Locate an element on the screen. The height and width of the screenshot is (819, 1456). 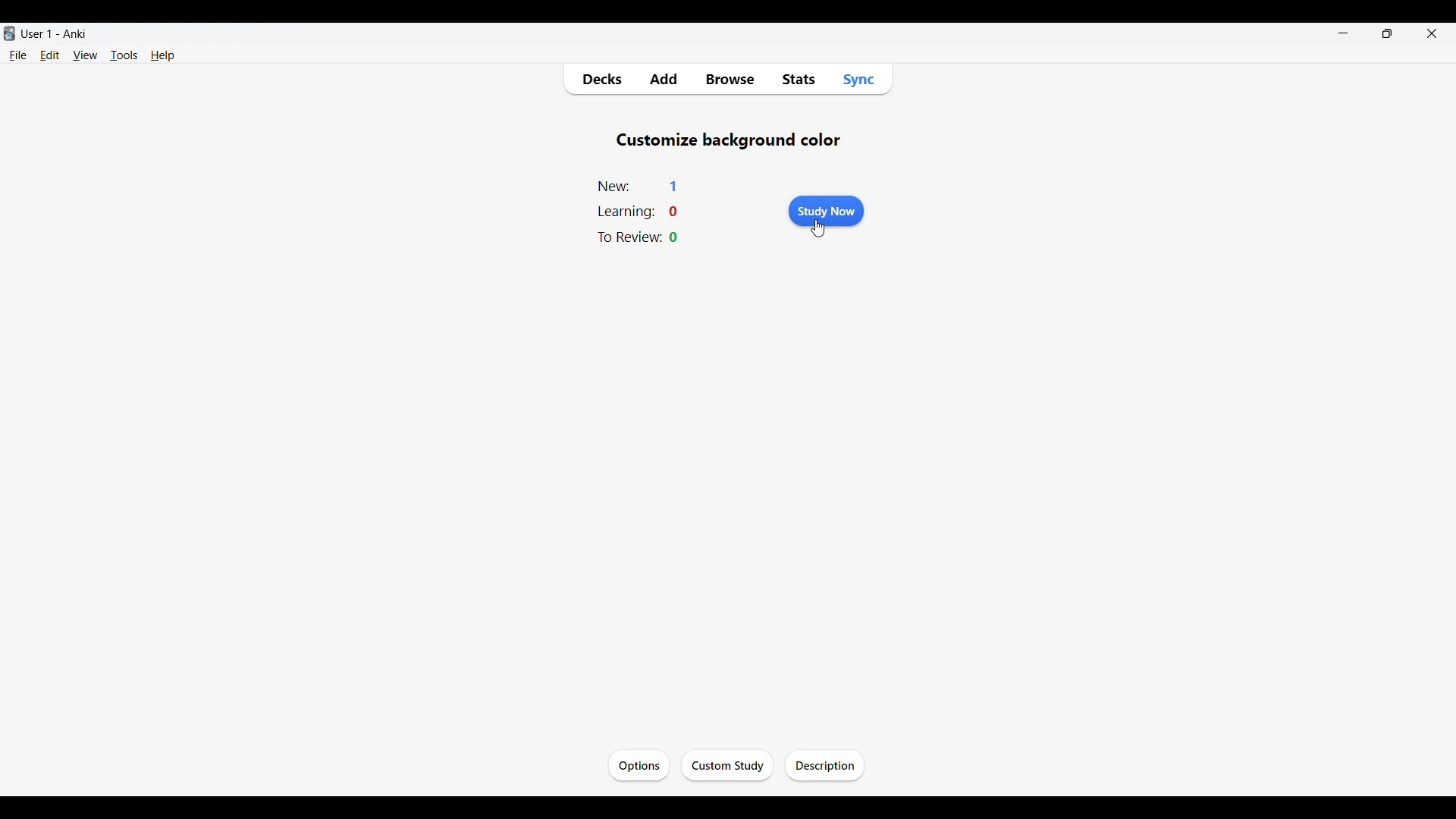
User and software name is located at coordinates (54, 33).